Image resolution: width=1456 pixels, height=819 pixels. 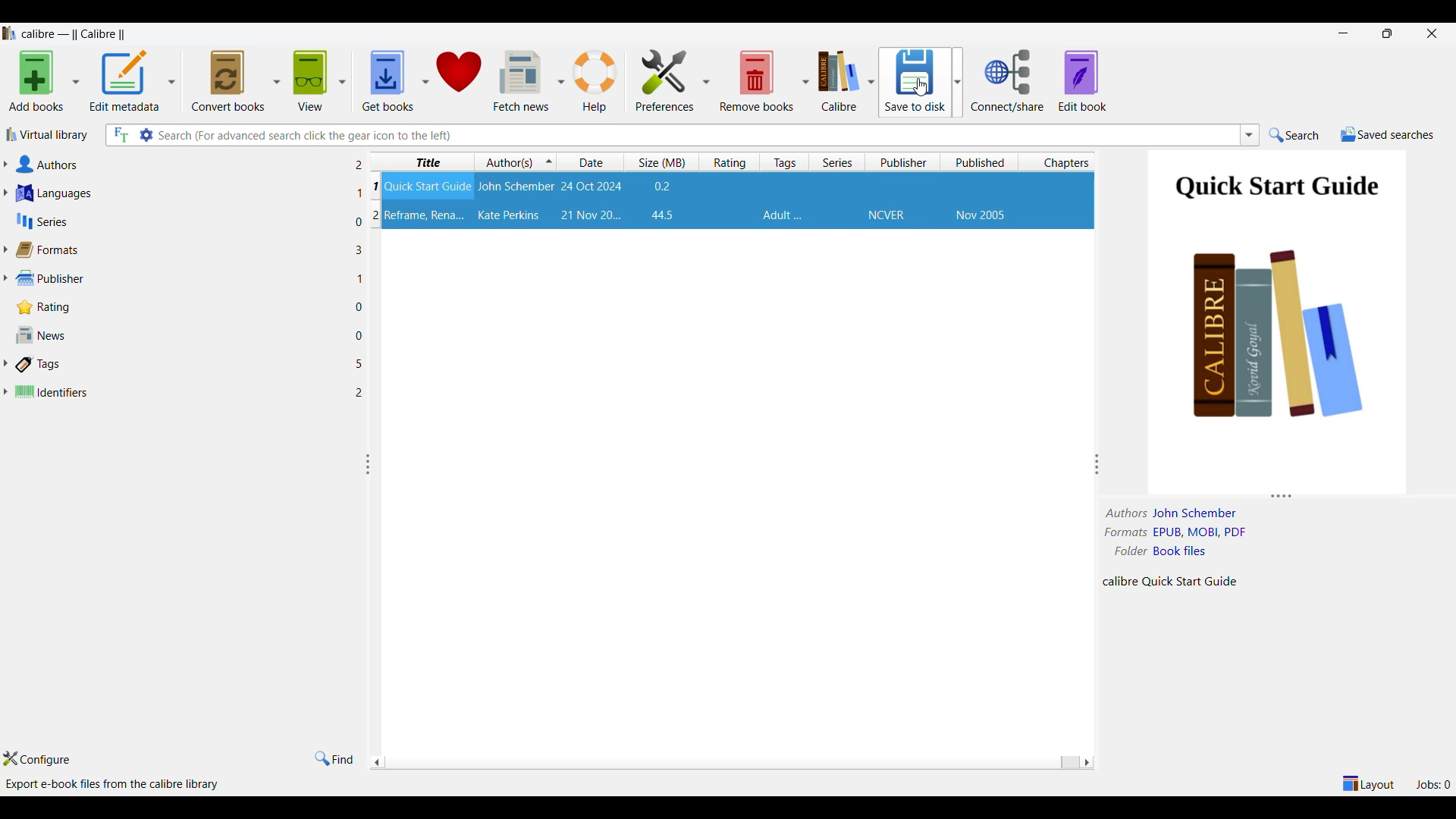 I want to click on Layout settings, so click(x=1369, y=783).